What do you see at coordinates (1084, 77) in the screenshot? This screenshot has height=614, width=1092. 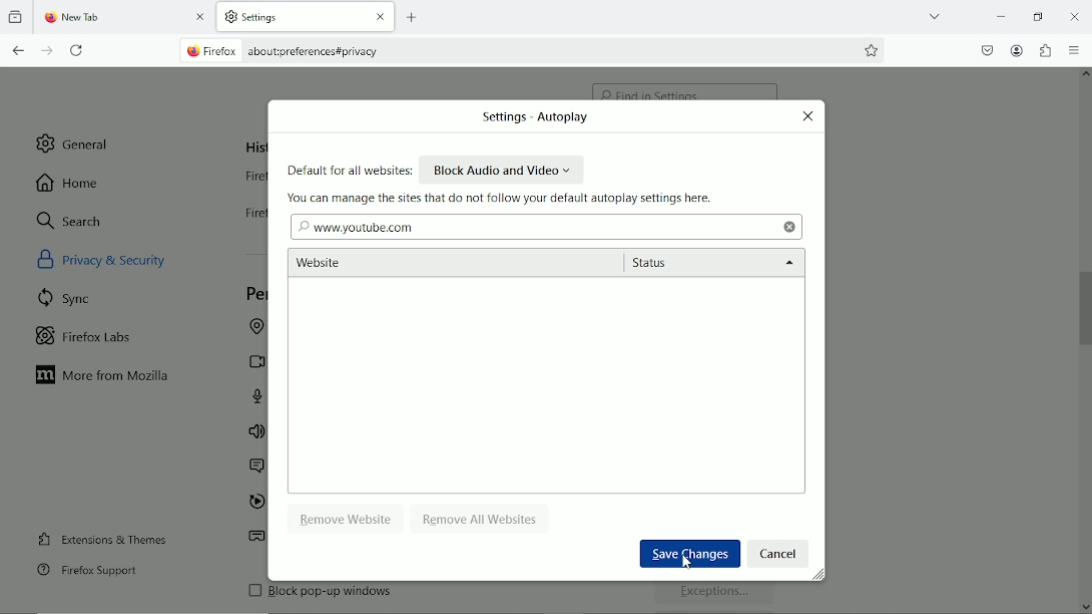 I see `scroll up` at bounding box center [1084, 77].